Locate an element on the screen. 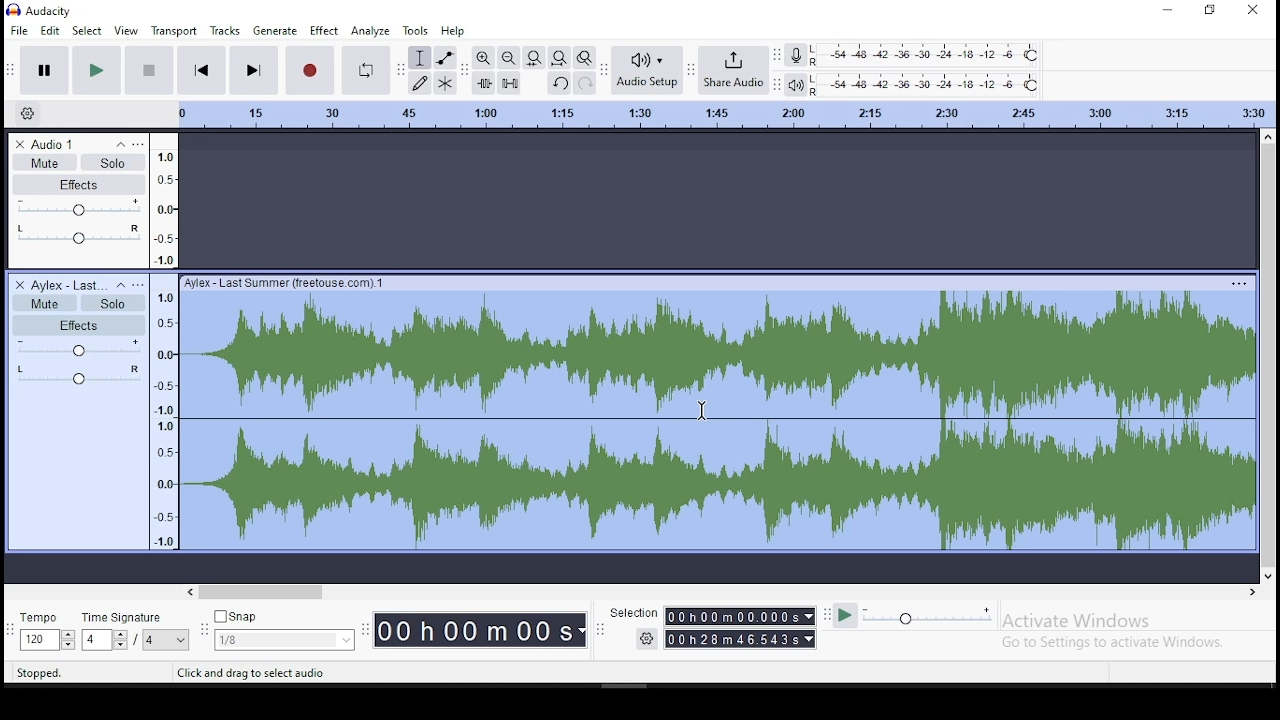 Image resolution: width=1280 pixels, height=720 pixels. open menu is located at coordinates (142, 284).